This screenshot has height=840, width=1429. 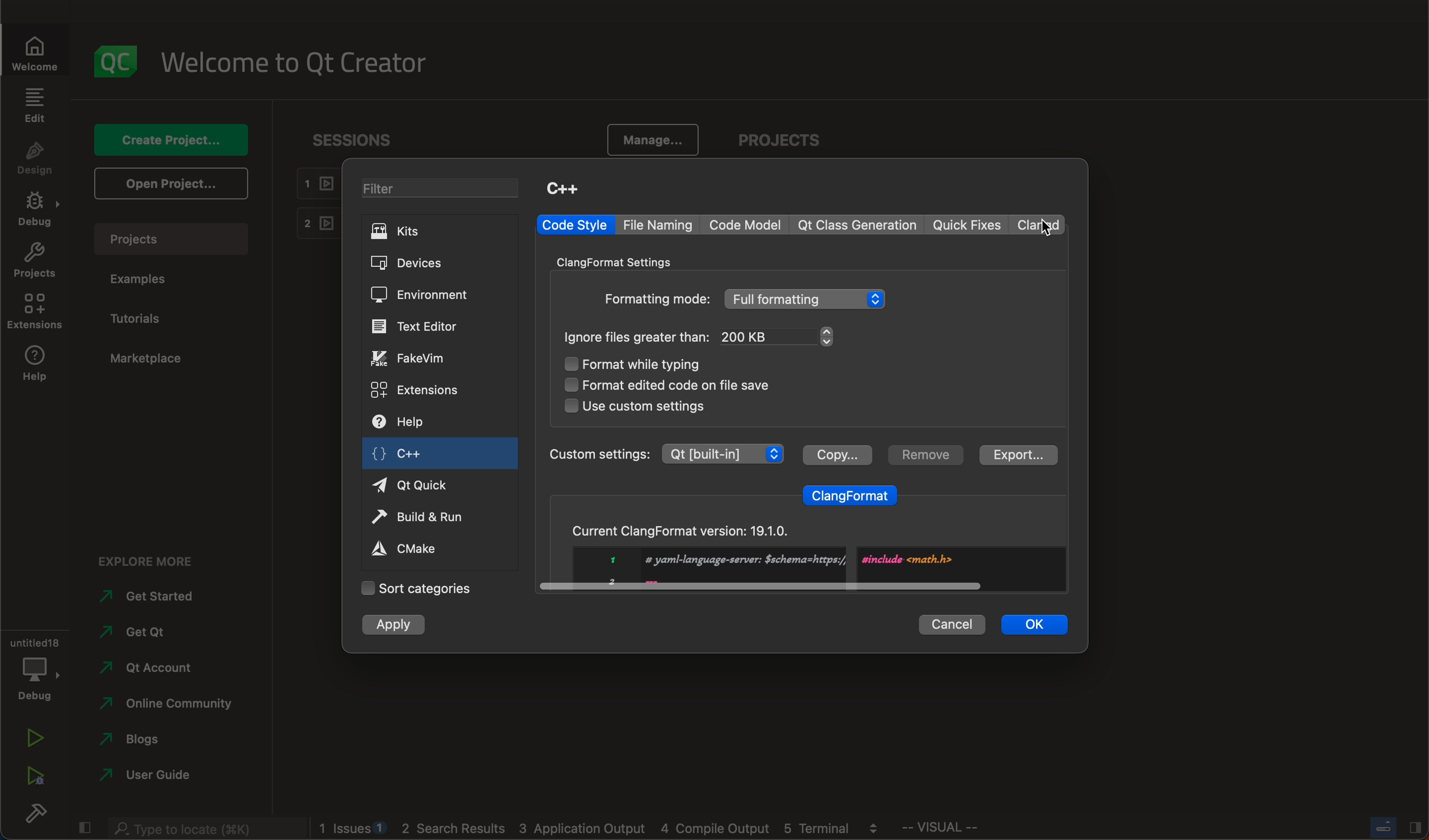 I want to click on files, so click(x=705, y=337).